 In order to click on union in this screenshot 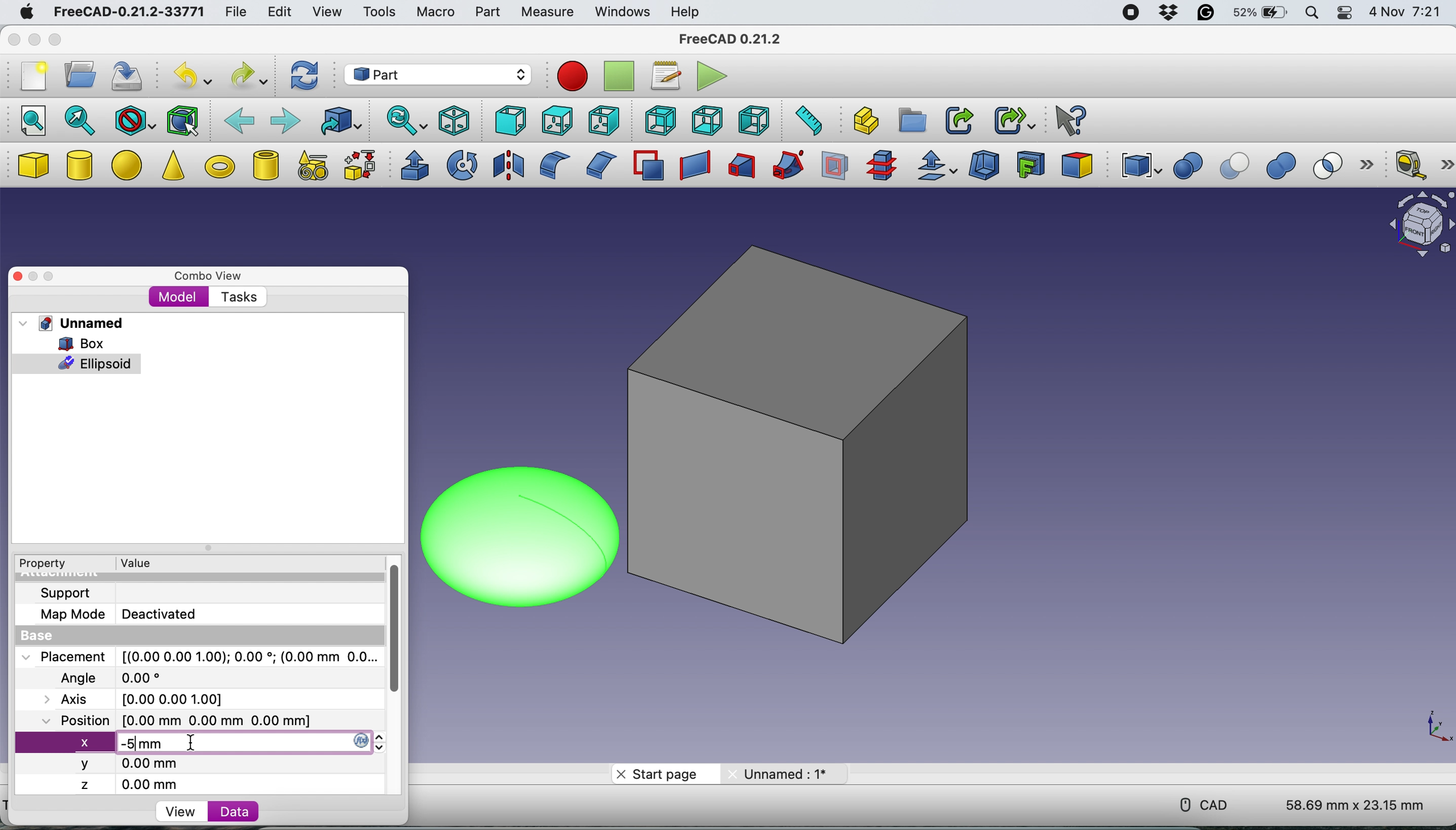, I will do `click(1286, 166)`.